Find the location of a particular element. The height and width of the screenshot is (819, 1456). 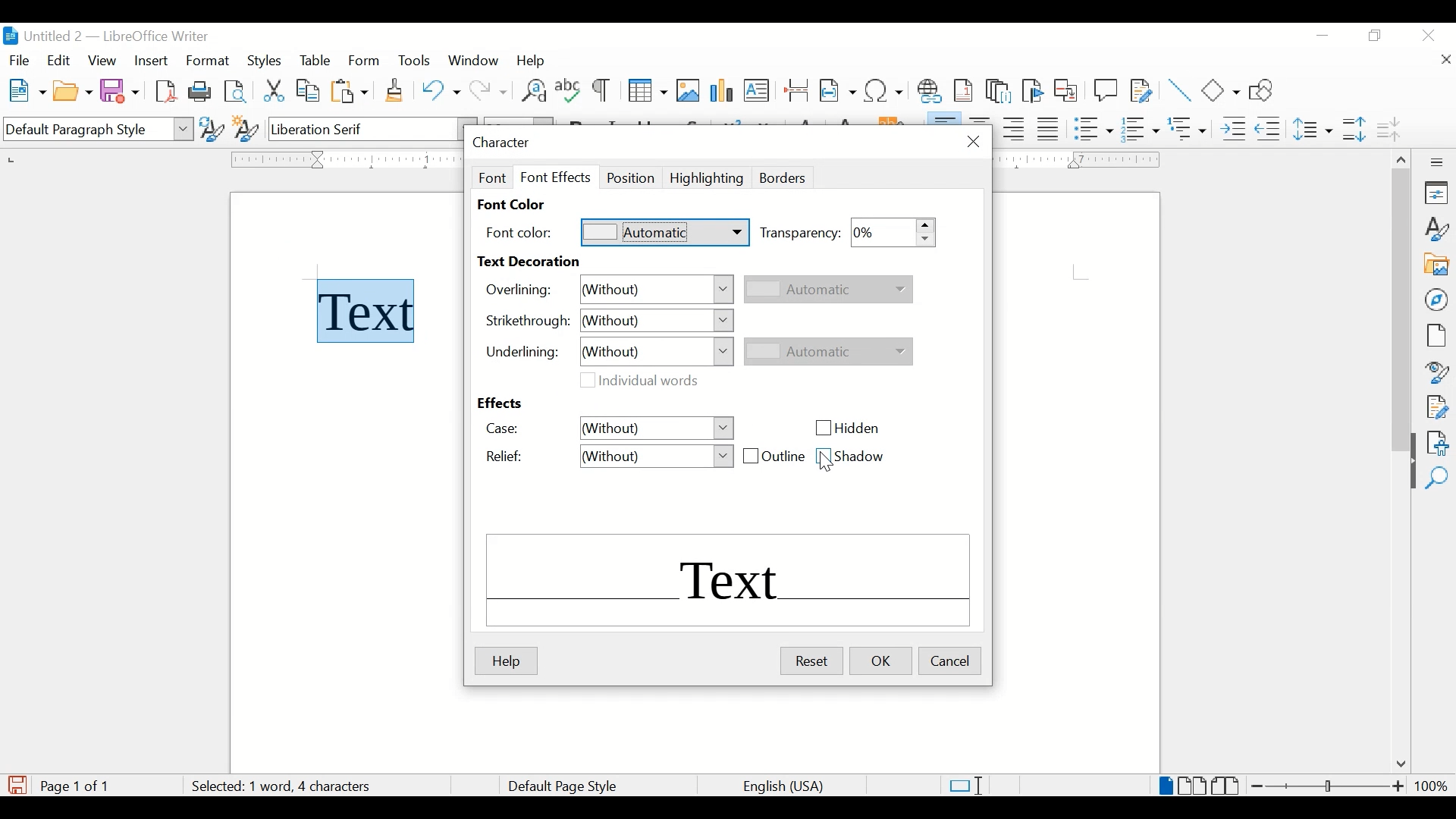

save  is located at coordinates (121, 90).